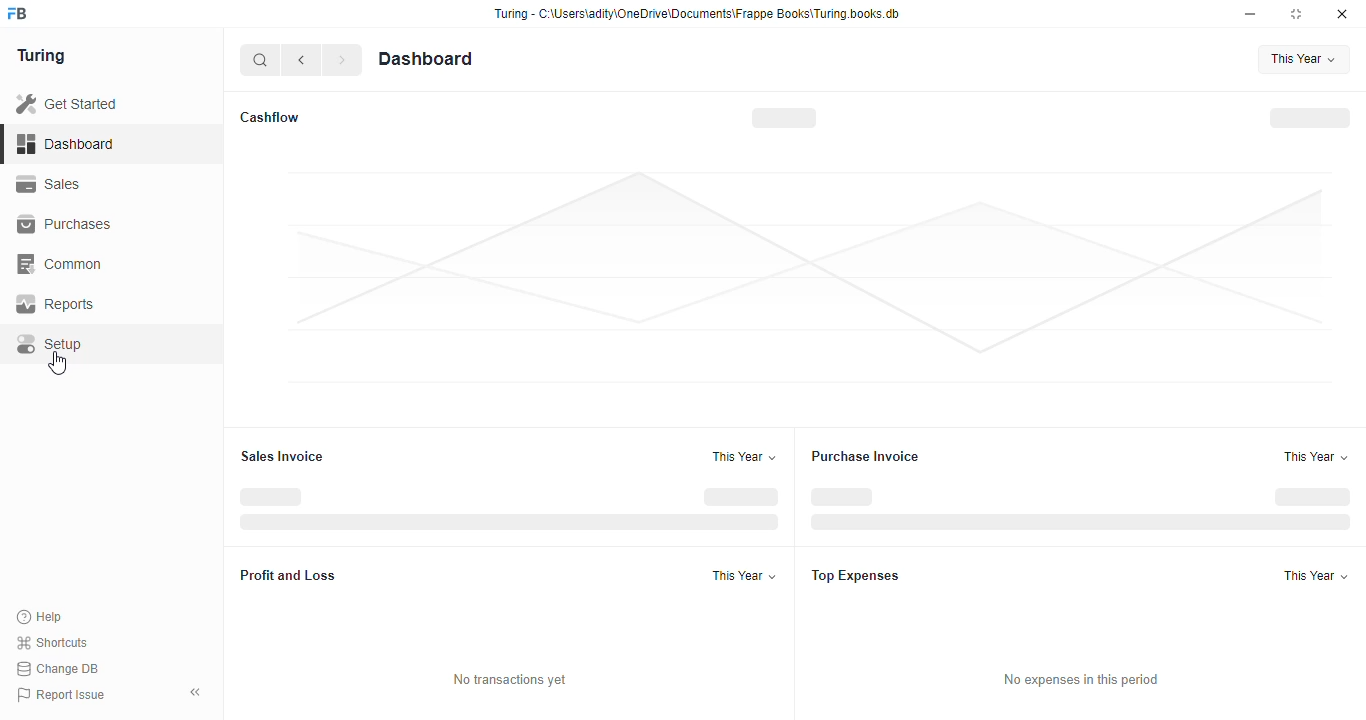 Image resolution: width=1366 pixels, height=720 pixels. What do you see at coordinates (1304, 58) in the screenshot?
I see `This Year` at bounding box center [1304, 58].